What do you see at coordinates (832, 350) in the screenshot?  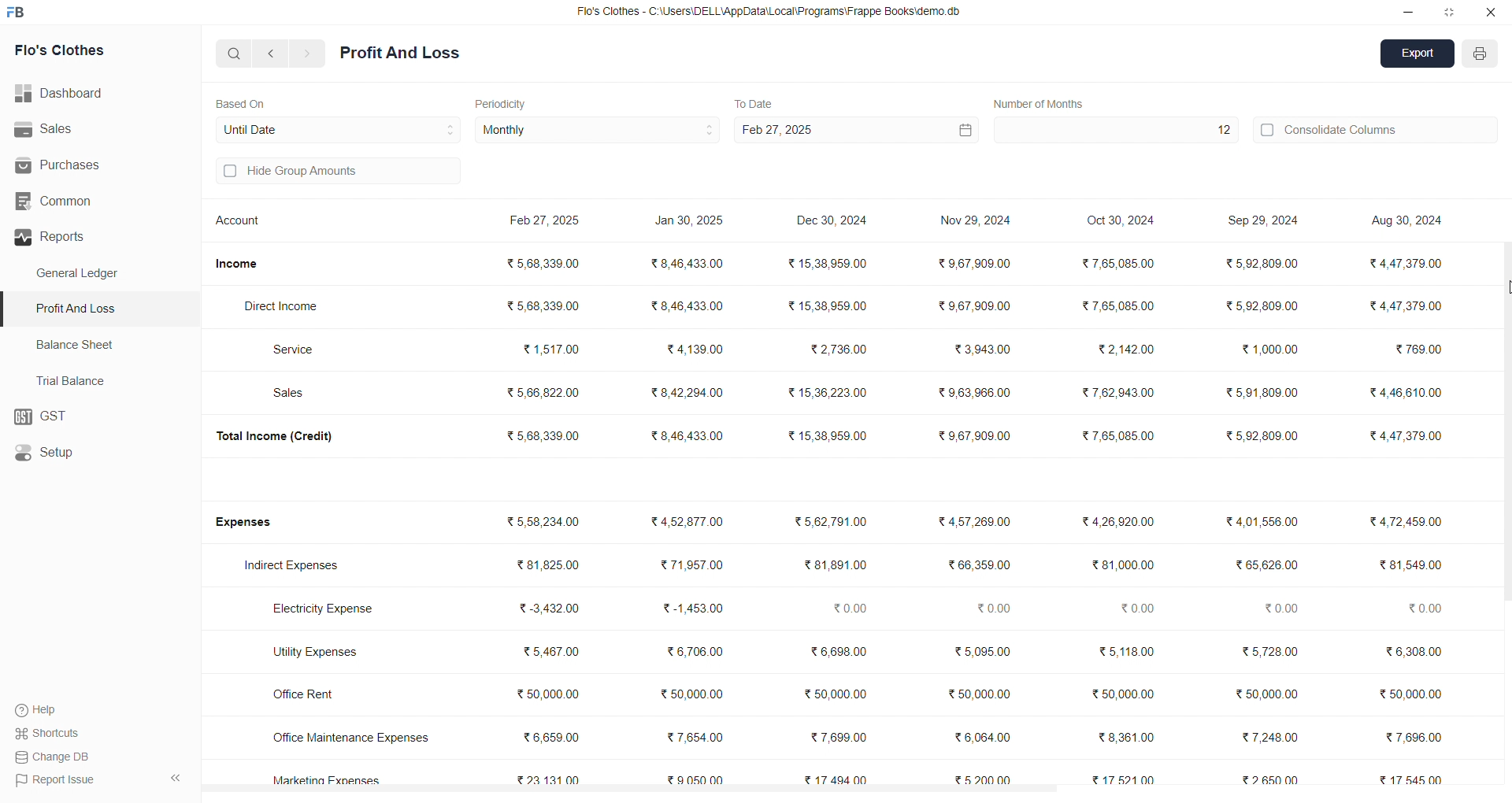 I see `₹2,736.00` at bounding box center [832, 350].